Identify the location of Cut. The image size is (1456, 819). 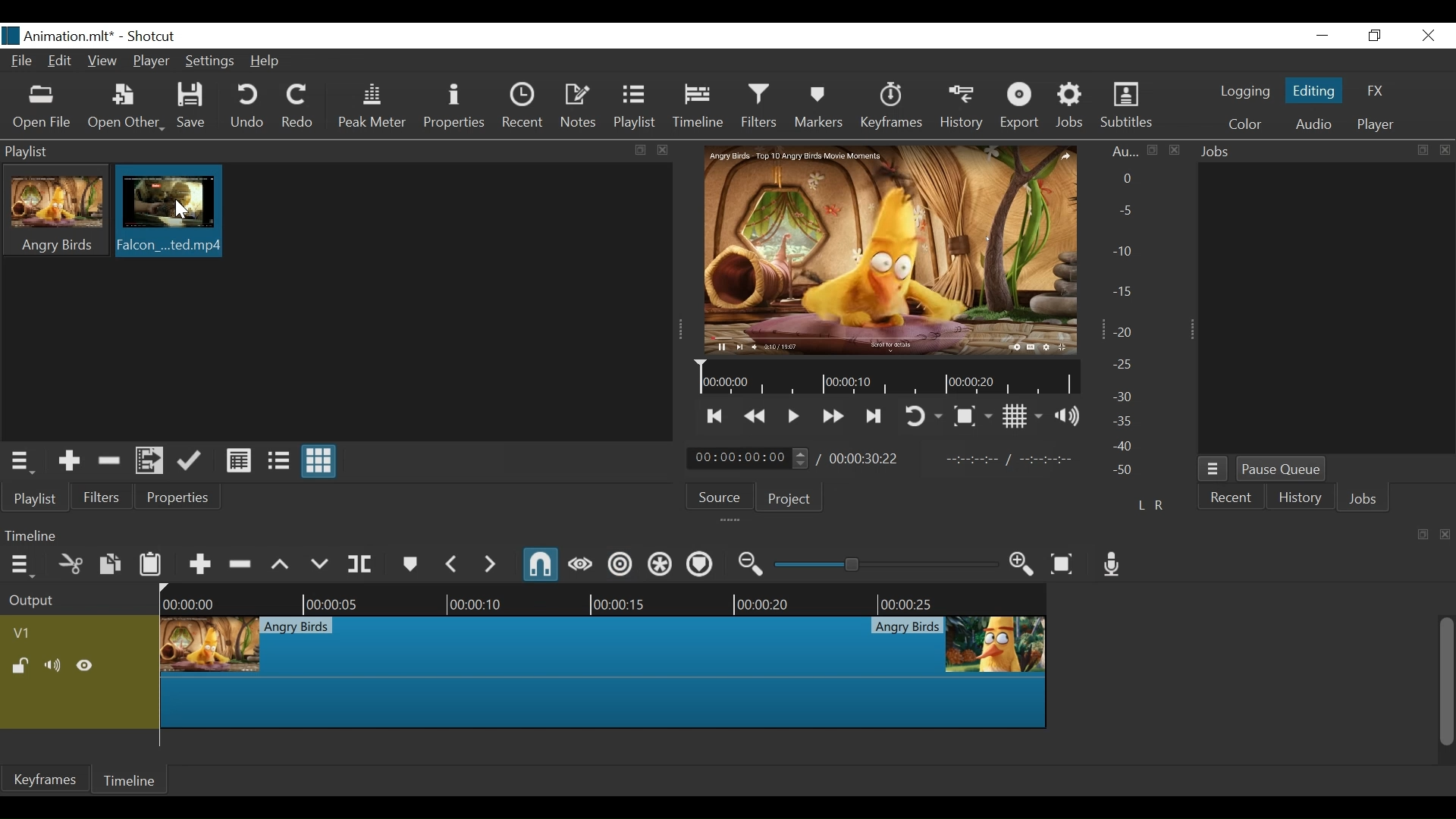
(71, 563).